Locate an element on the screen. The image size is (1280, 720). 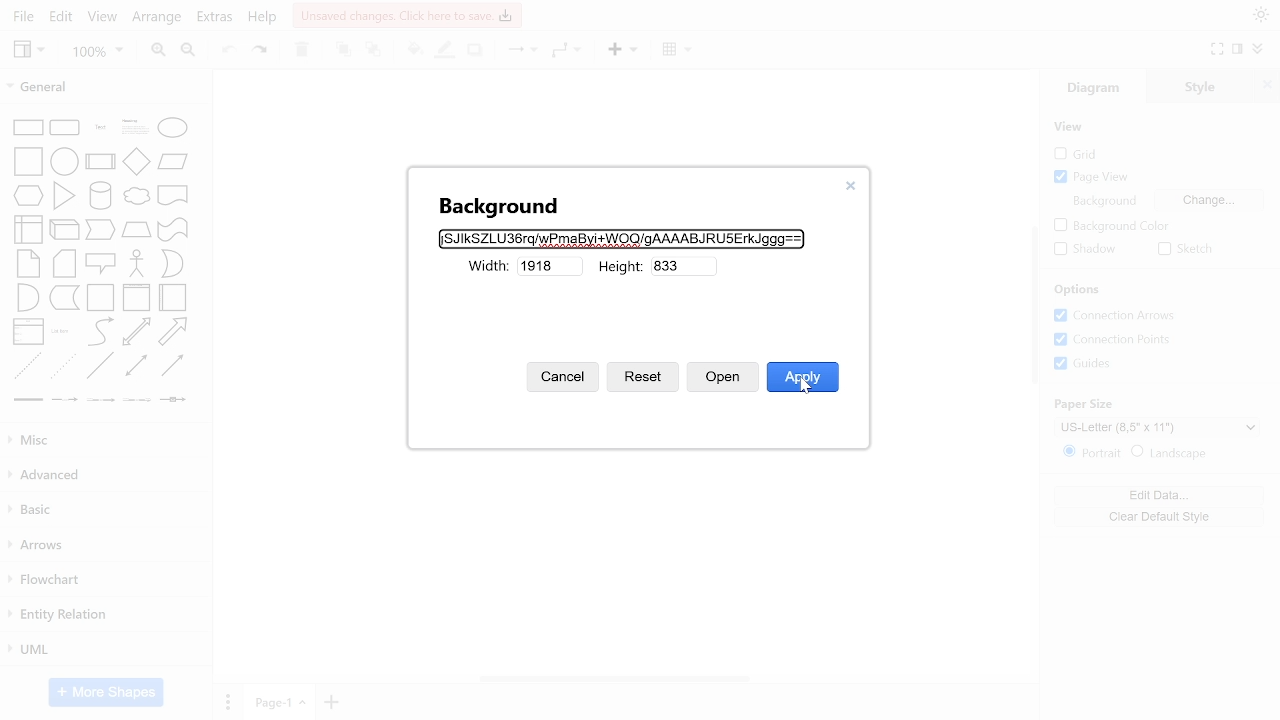
general shapes is located at coordinates (26, 126).